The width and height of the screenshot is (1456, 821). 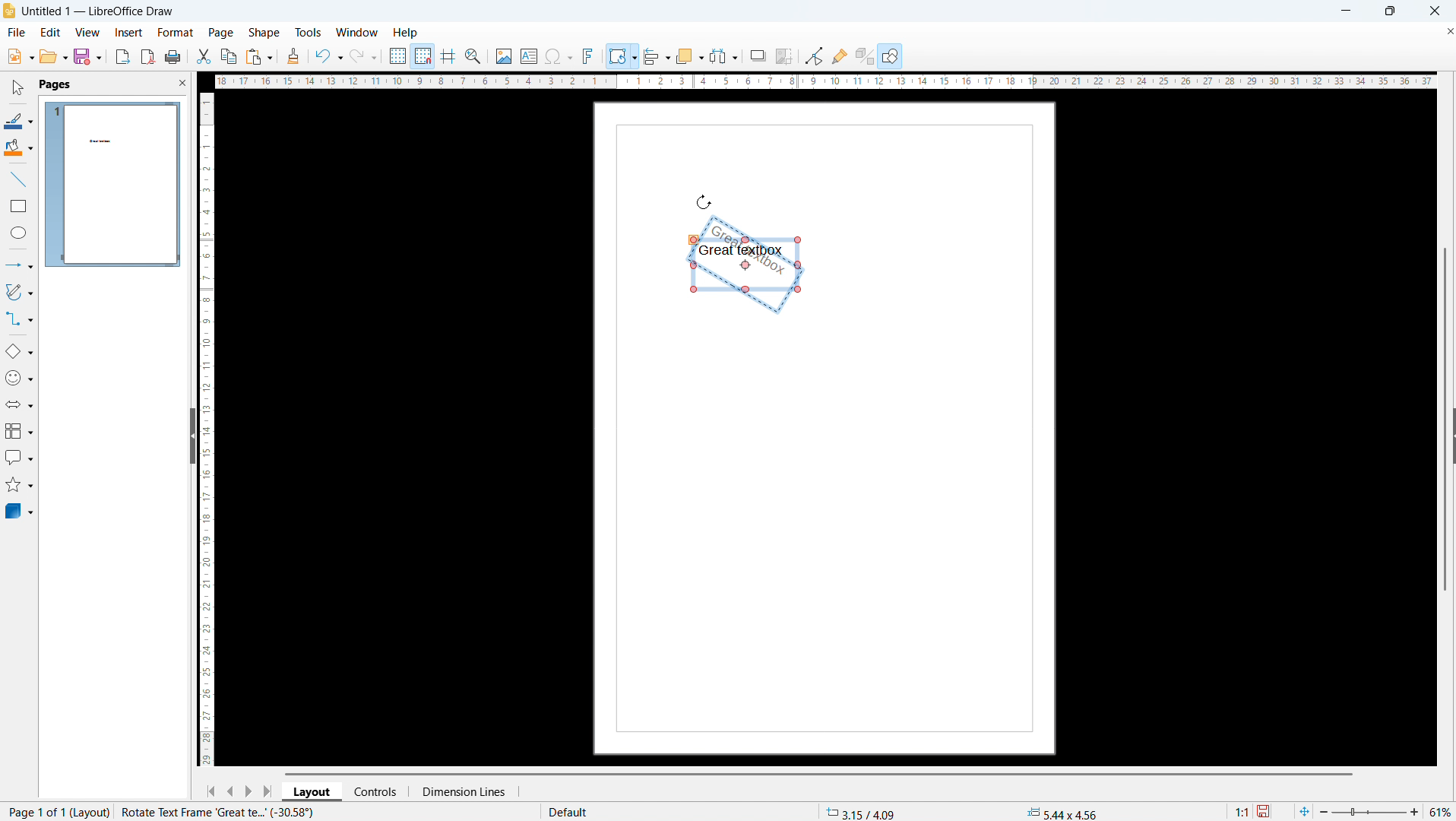 I want to click on Text box being rotated , so click(x=761, y=249).